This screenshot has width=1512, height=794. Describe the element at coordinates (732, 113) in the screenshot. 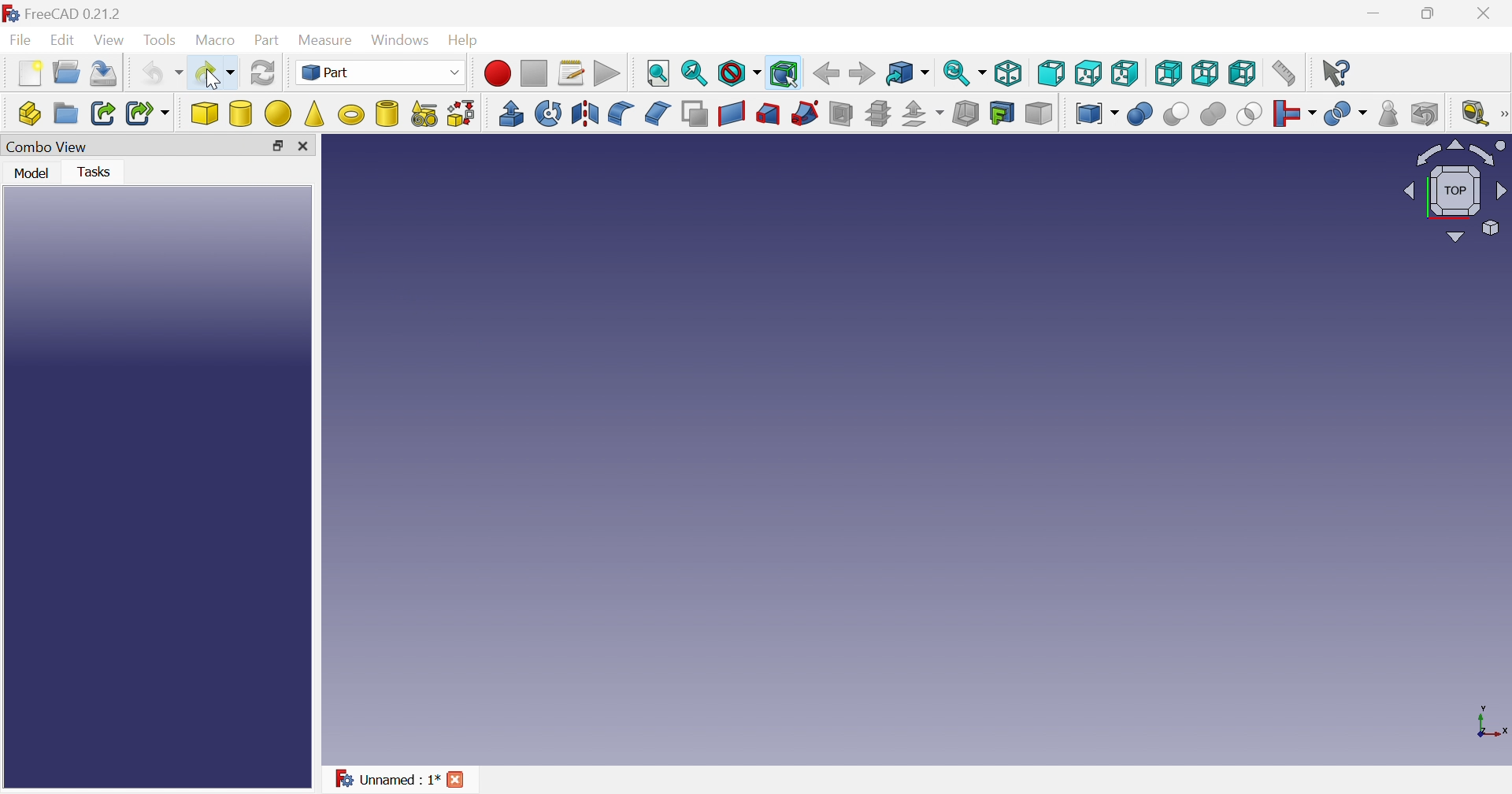

I see `Create ruled surface...` at that location.